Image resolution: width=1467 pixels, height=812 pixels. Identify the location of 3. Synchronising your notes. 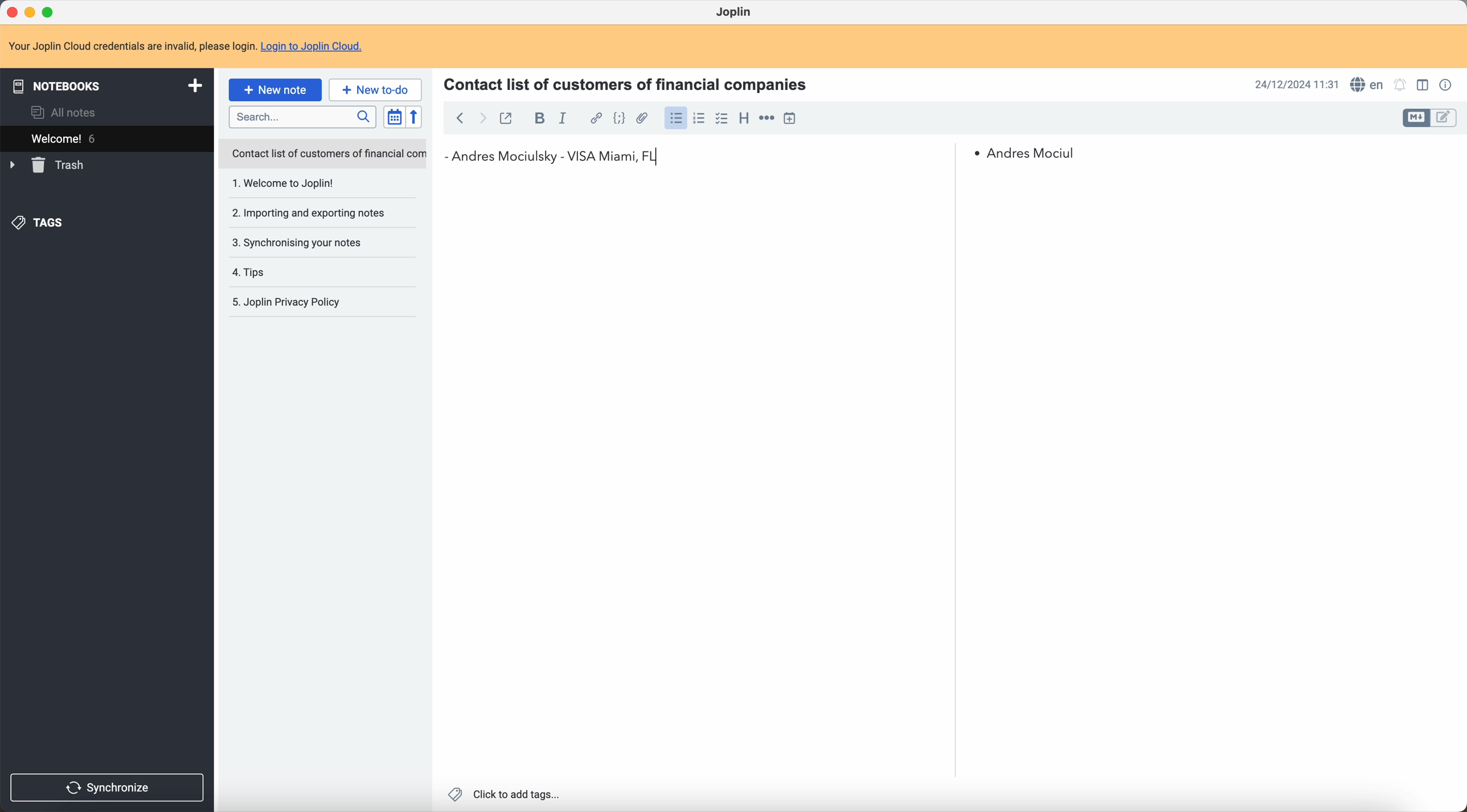
(301, 242).